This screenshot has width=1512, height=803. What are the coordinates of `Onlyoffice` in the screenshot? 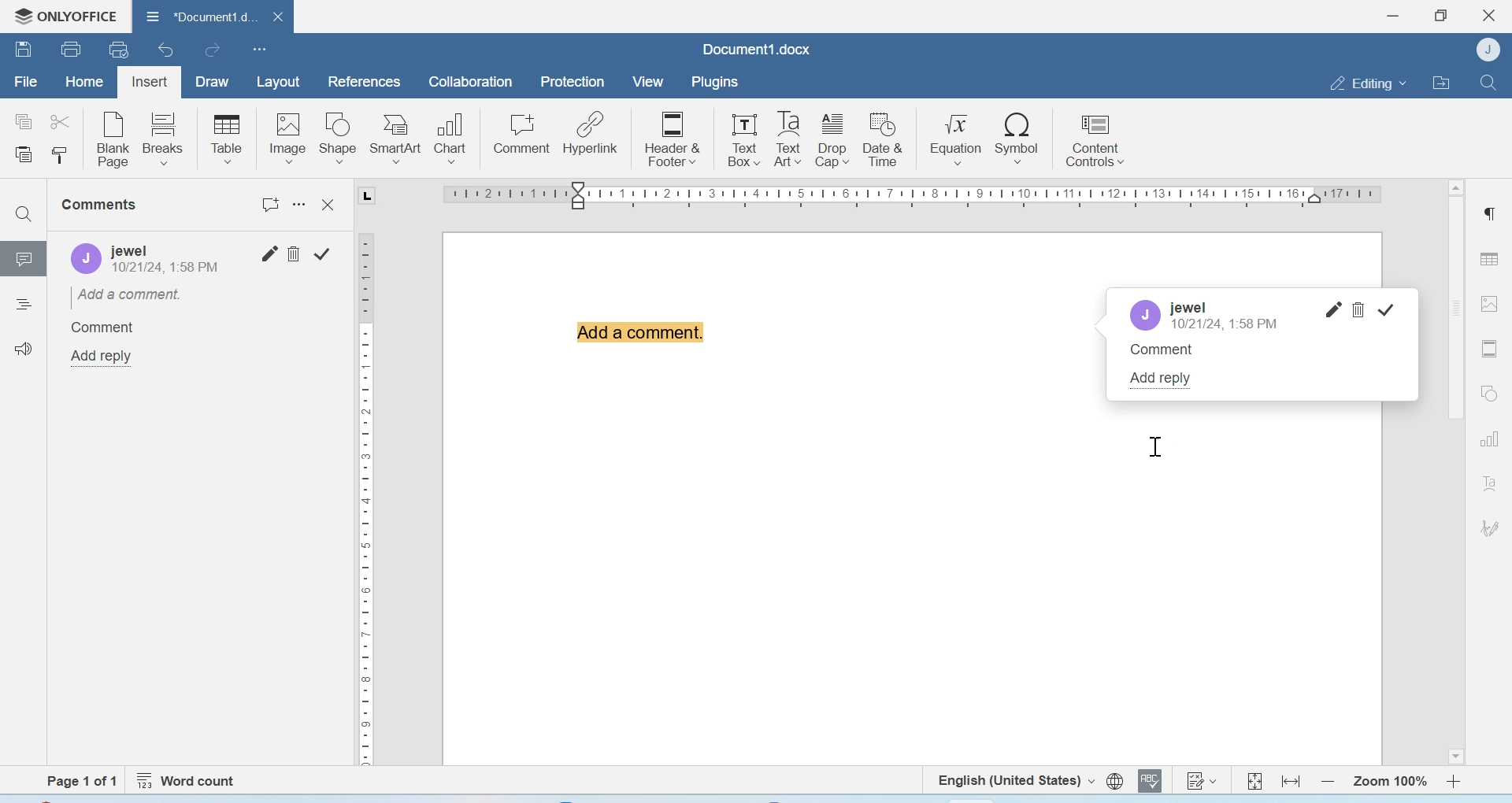 It's located at (61, 17).